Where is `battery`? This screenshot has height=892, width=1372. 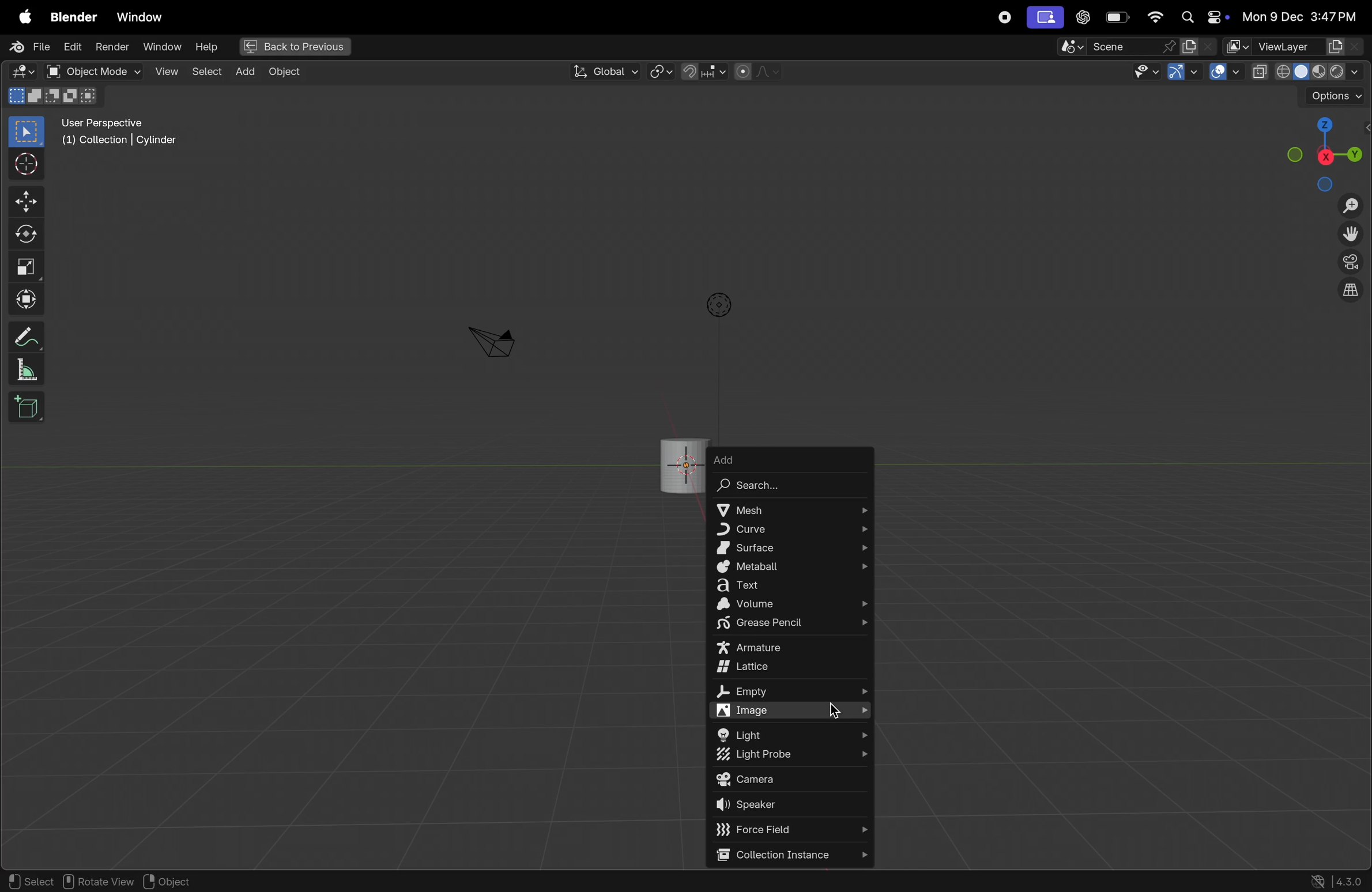 battery is located at coordinates (1118, 17).